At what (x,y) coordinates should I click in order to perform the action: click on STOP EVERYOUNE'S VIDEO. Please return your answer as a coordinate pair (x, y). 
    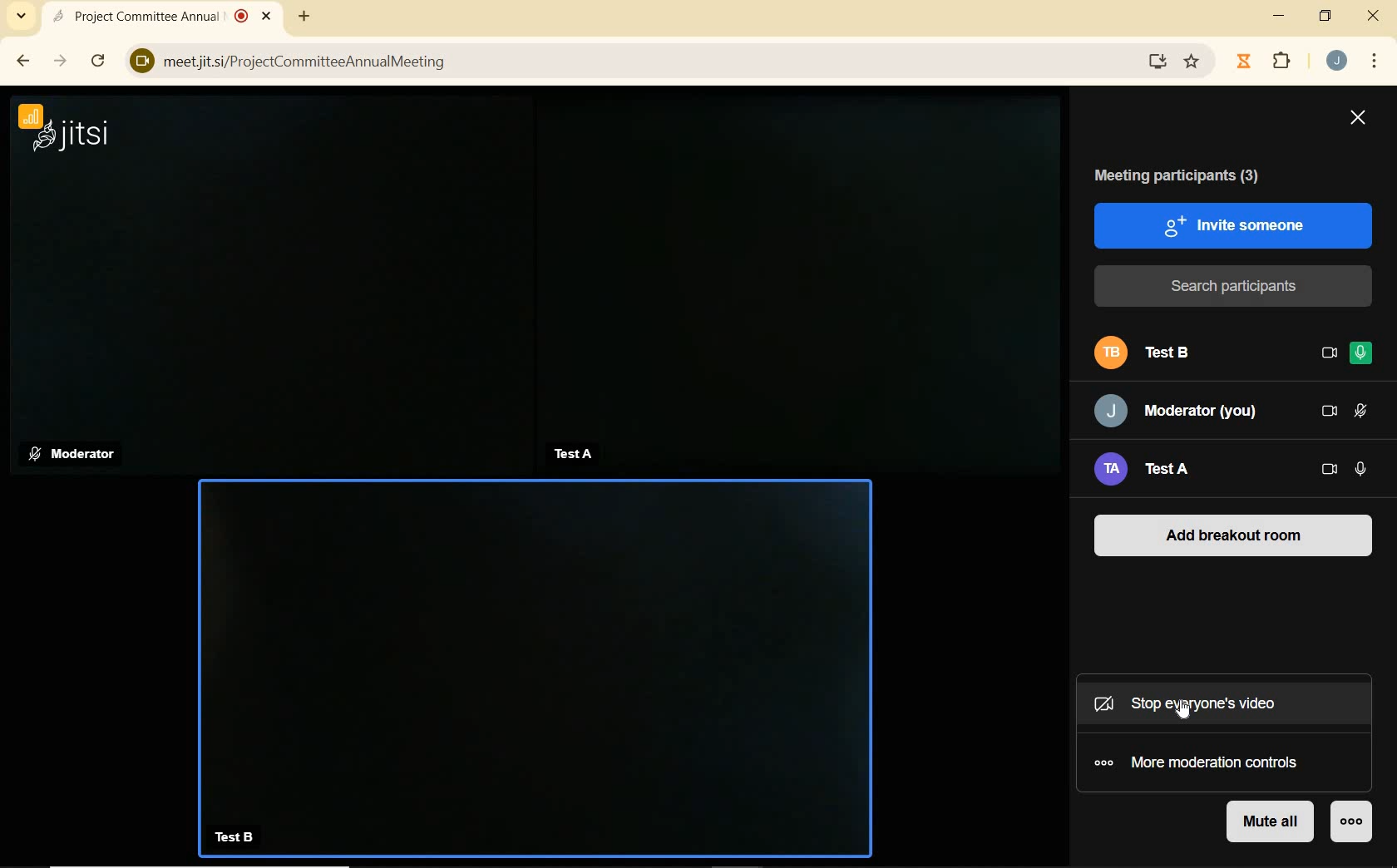
    Looking at the image, I should click on (1226, 702).